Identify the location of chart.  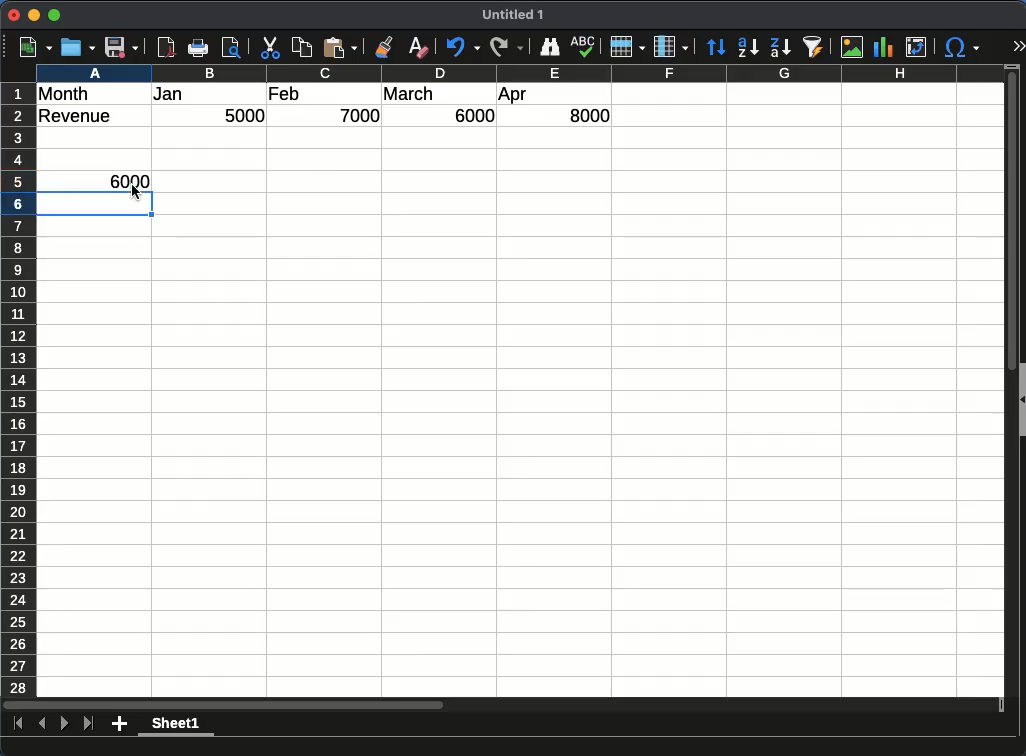
(883, 47).